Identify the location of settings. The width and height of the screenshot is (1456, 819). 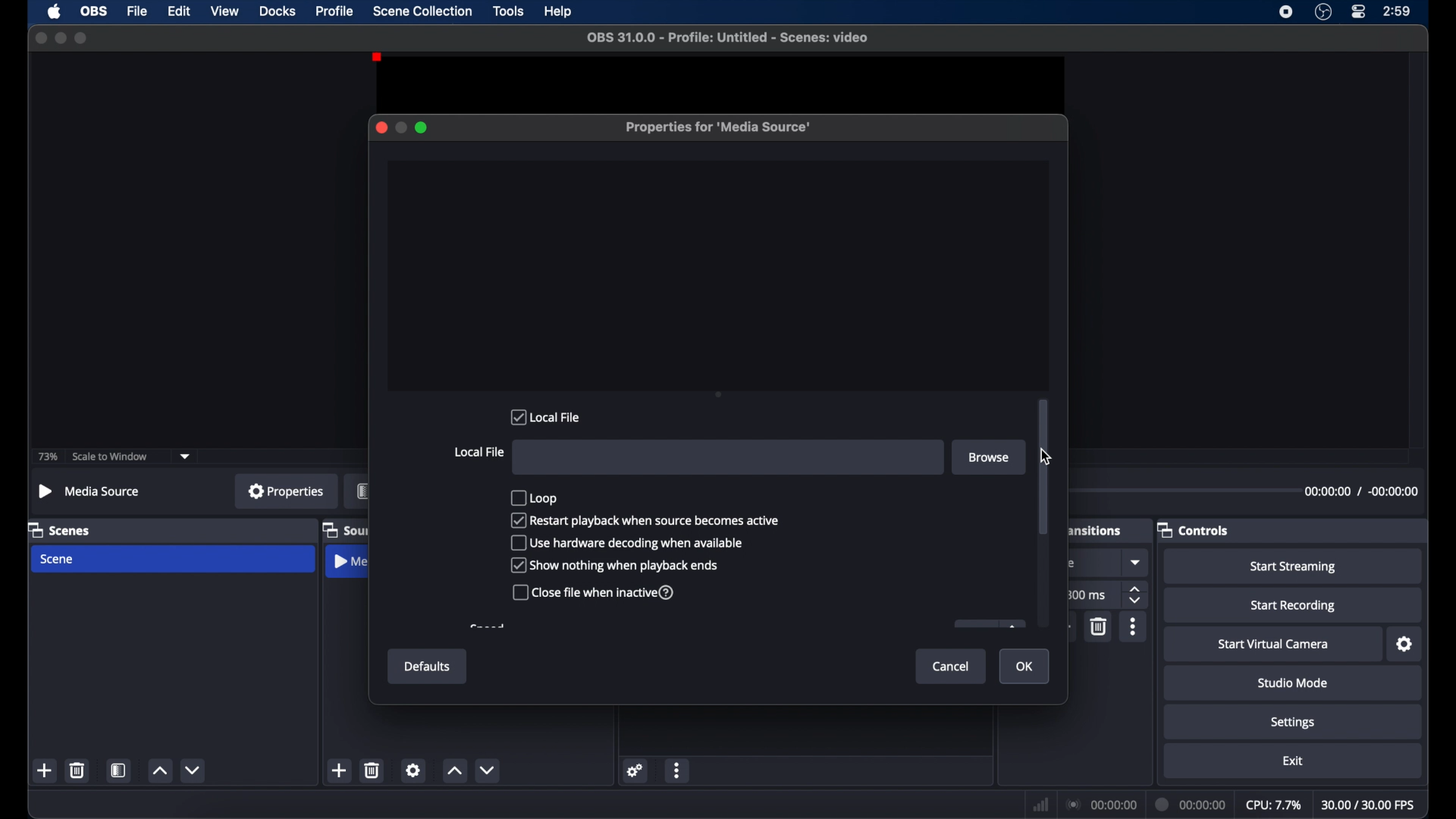
(635, 771).